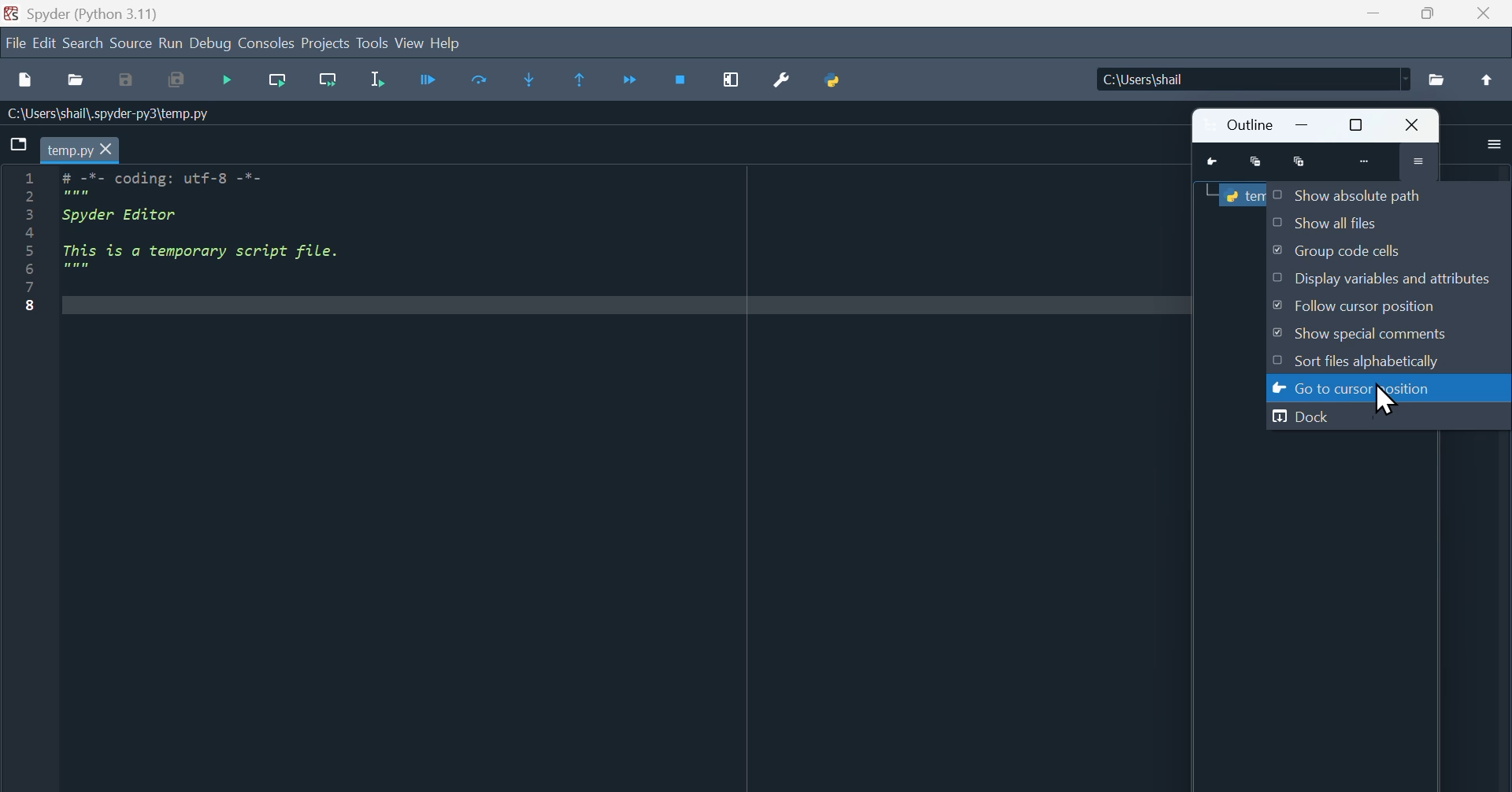 The image size is (1512, 792). I want to click on Edit, so click(46, 41).